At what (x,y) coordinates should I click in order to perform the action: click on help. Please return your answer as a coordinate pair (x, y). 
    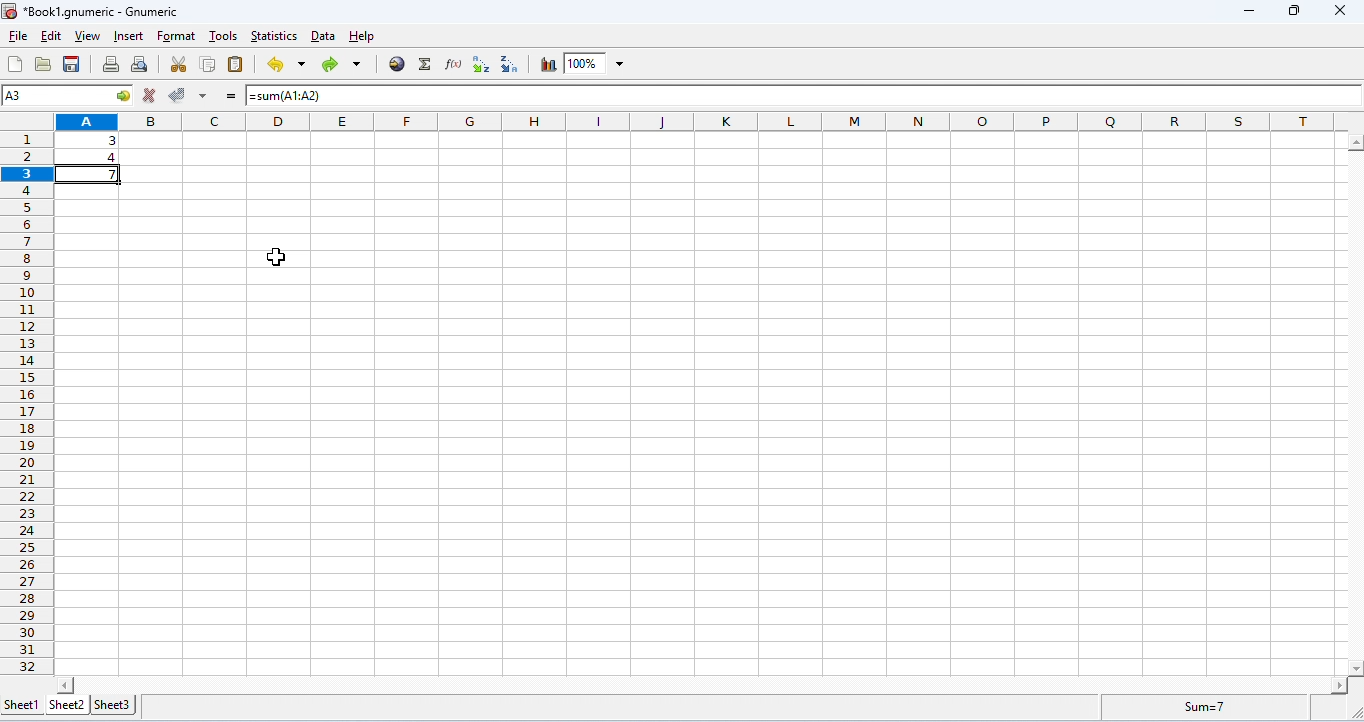
    Looking at the image, I should click on (363, 37).